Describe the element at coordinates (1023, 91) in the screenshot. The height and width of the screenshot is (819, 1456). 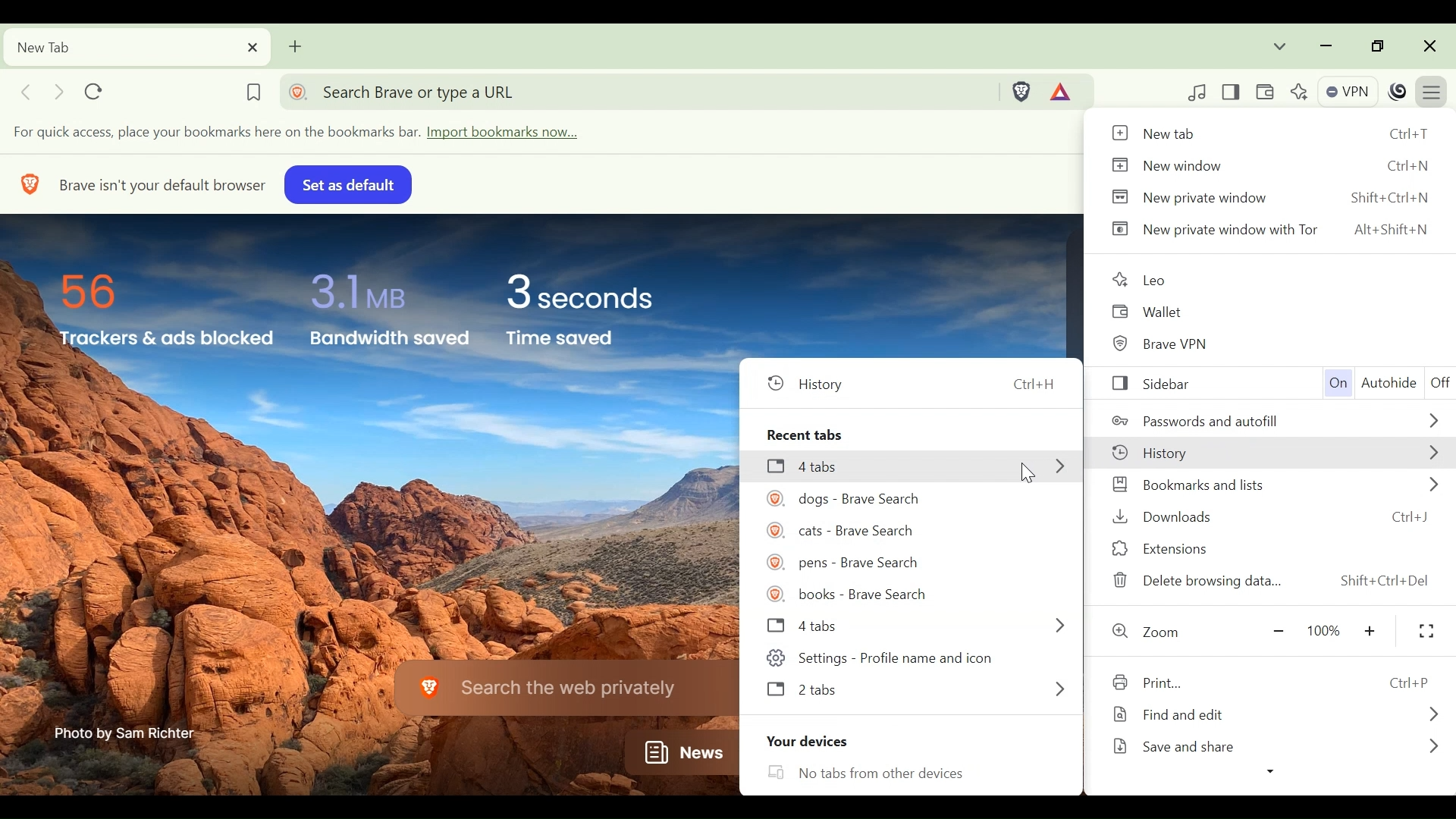
I see `Brave Shield` at that location.